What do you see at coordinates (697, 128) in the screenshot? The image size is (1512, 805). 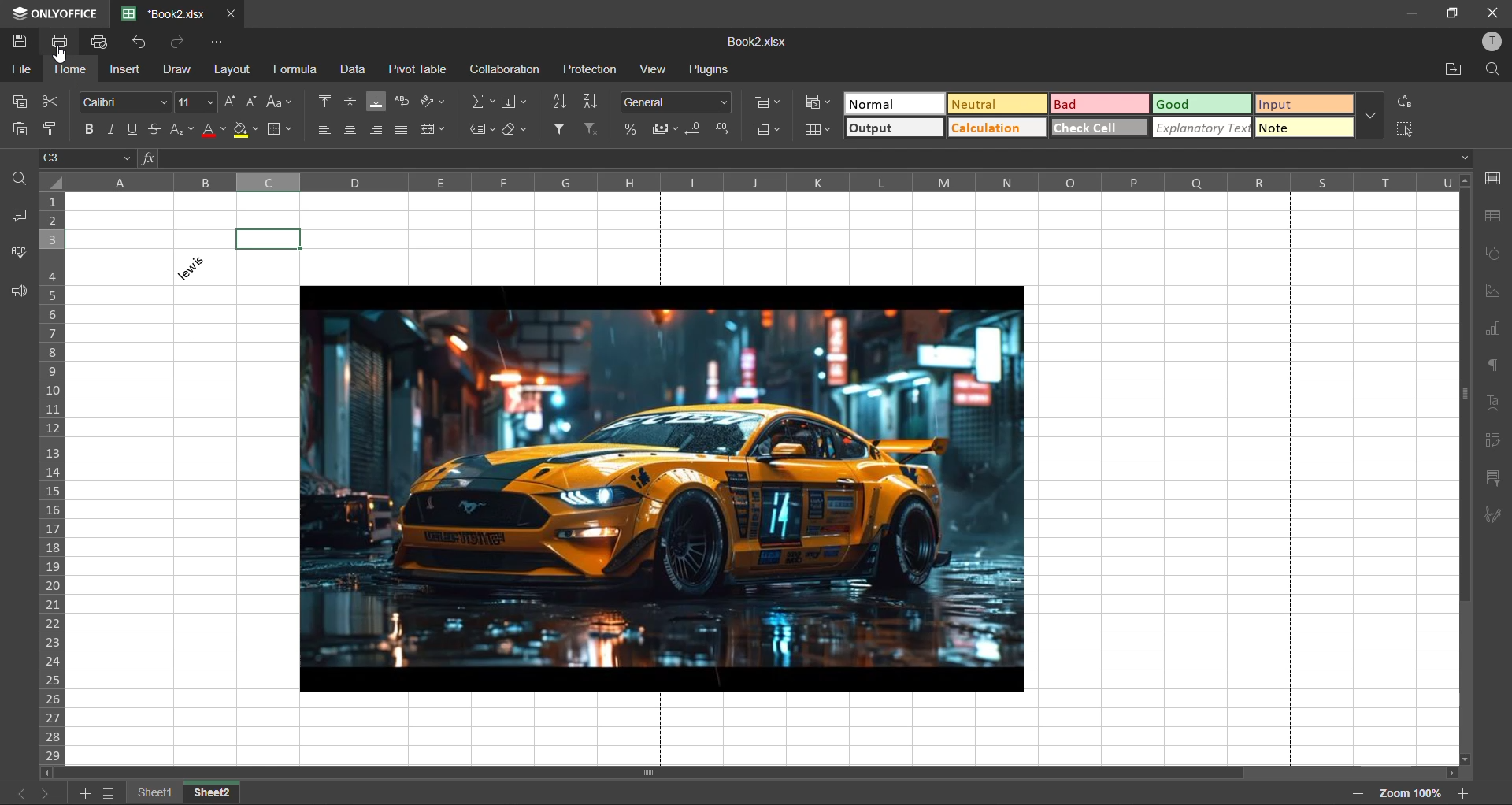 I see `decrease decimal` at bounding box center [697, 128].